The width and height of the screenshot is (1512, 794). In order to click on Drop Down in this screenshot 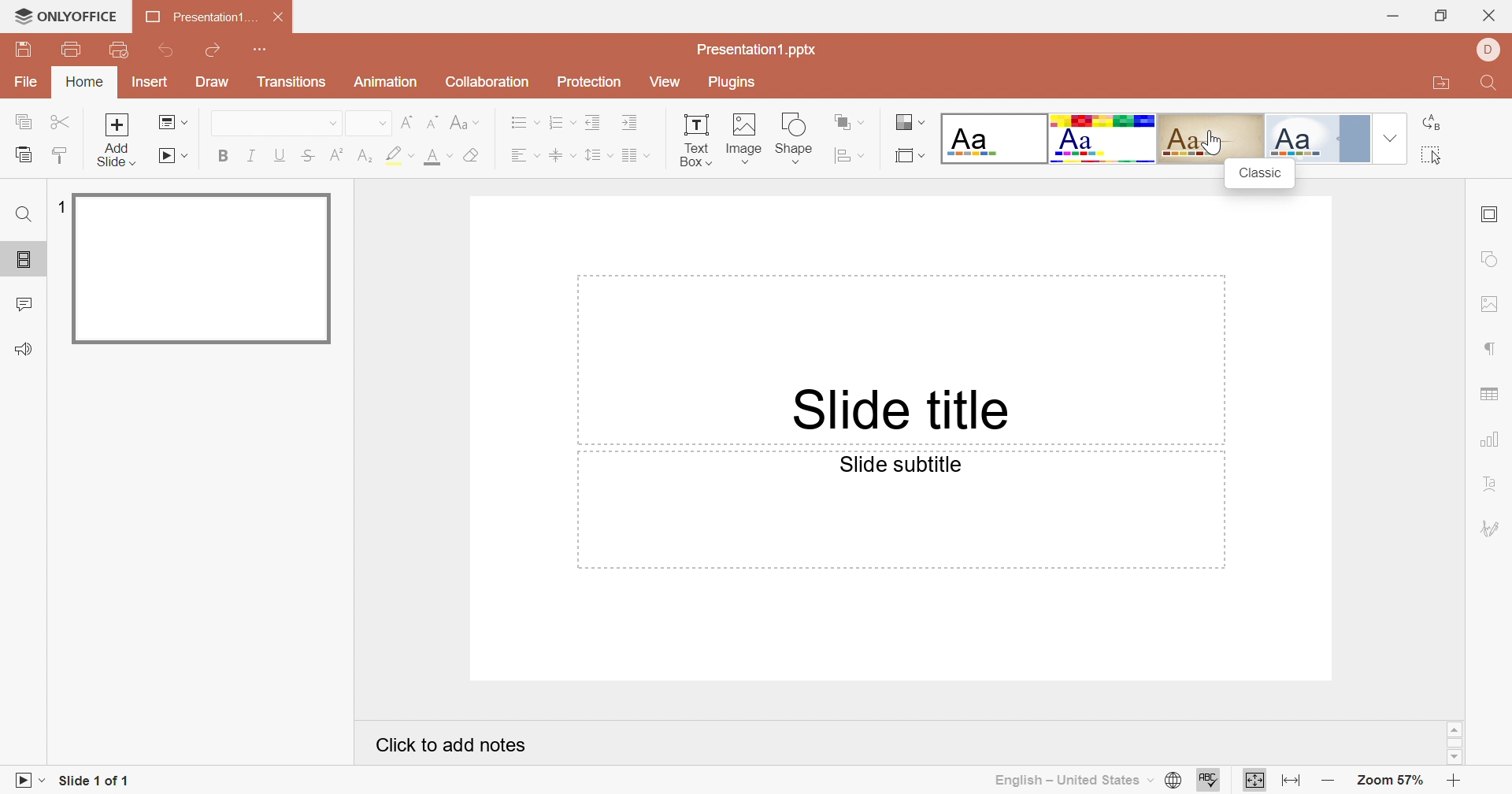, I will do `click(187, 156)`.